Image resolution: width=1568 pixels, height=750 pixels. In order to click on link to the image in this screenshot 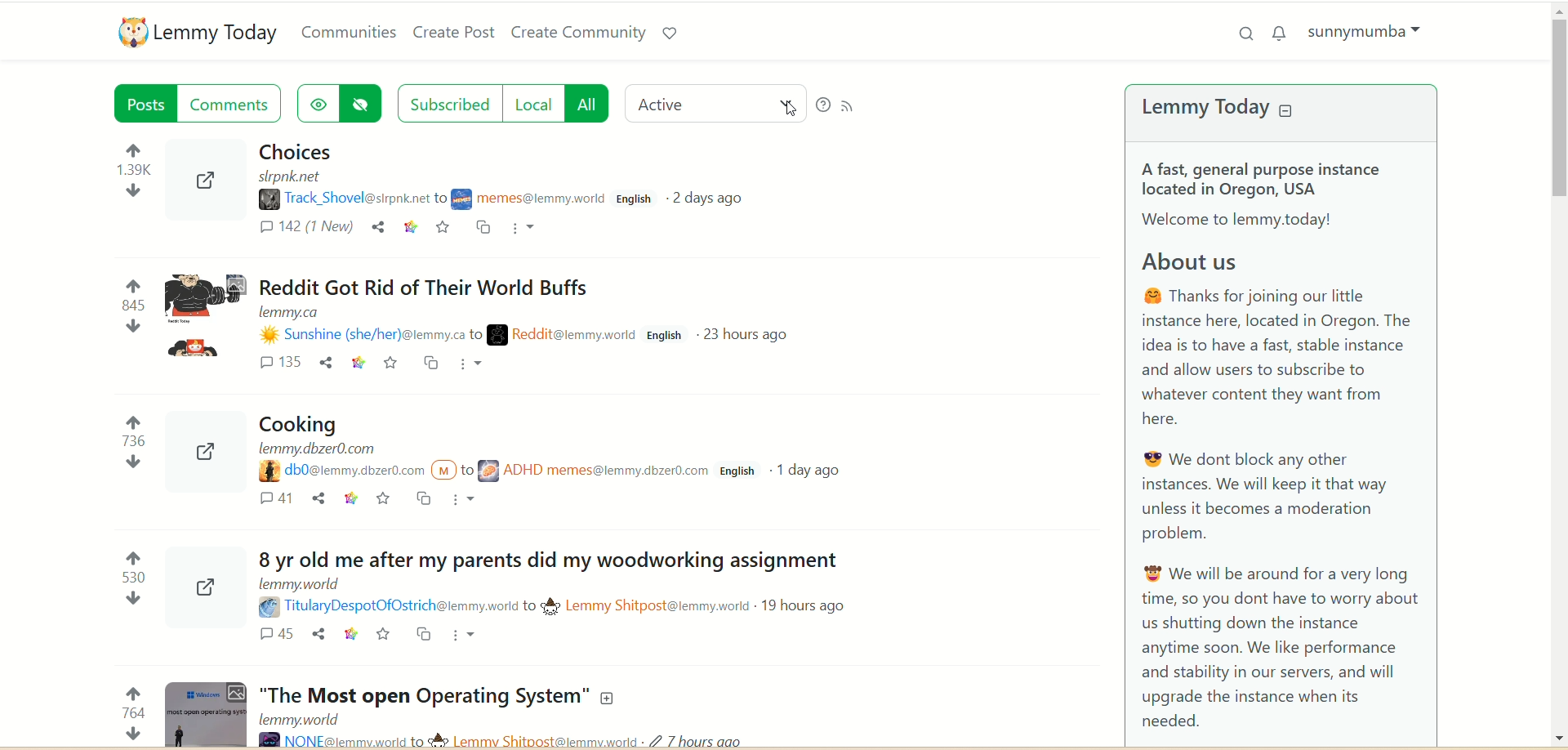, I will do `click(190, 586)`.